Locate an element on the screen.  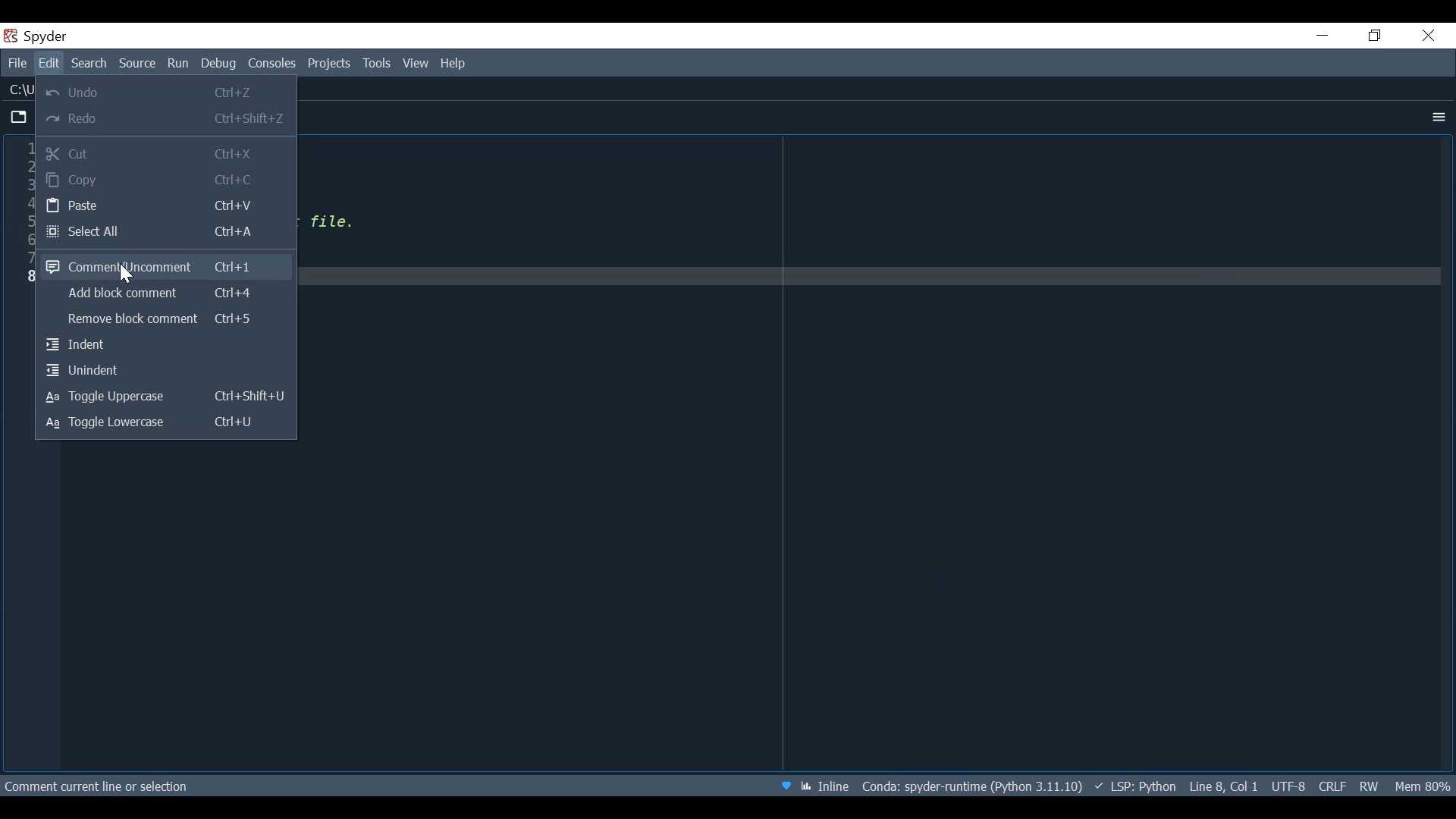
File Encoding is located at coordinates (1289, 786).